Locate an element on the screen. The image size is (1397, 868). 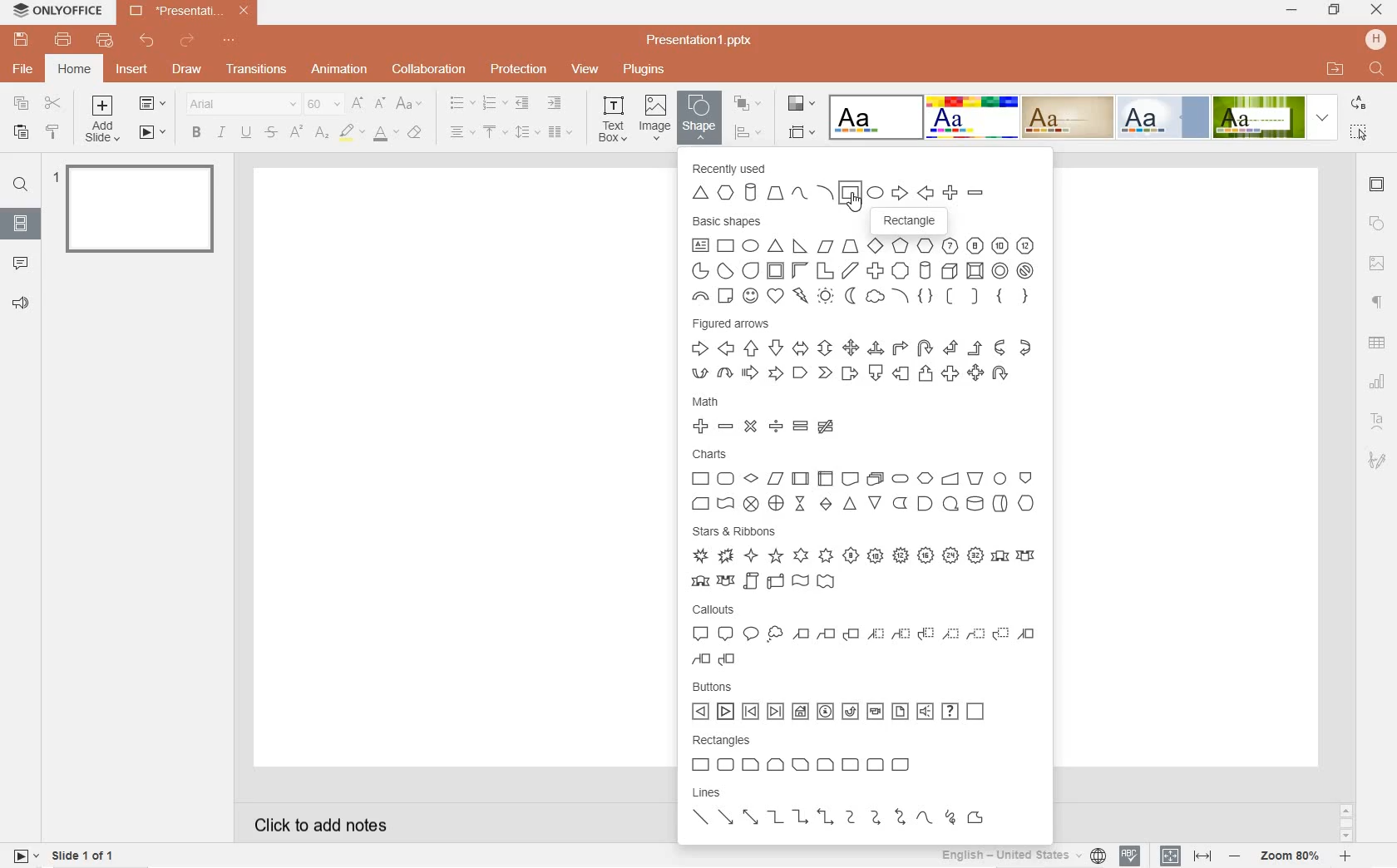
underline is located at coordinates (245, 131).